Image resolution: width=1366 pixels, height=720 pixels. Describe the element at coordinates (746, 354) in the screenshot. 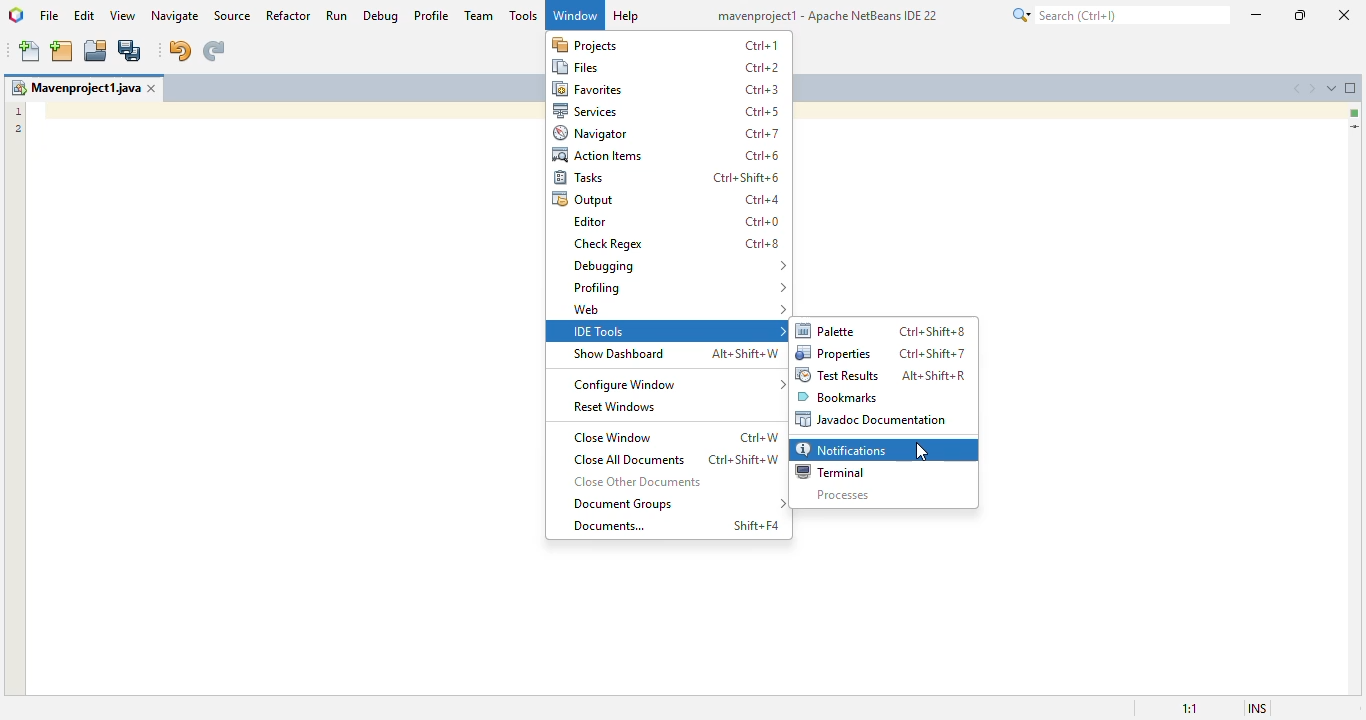

I see `shortcut for show dashboard` at that location.